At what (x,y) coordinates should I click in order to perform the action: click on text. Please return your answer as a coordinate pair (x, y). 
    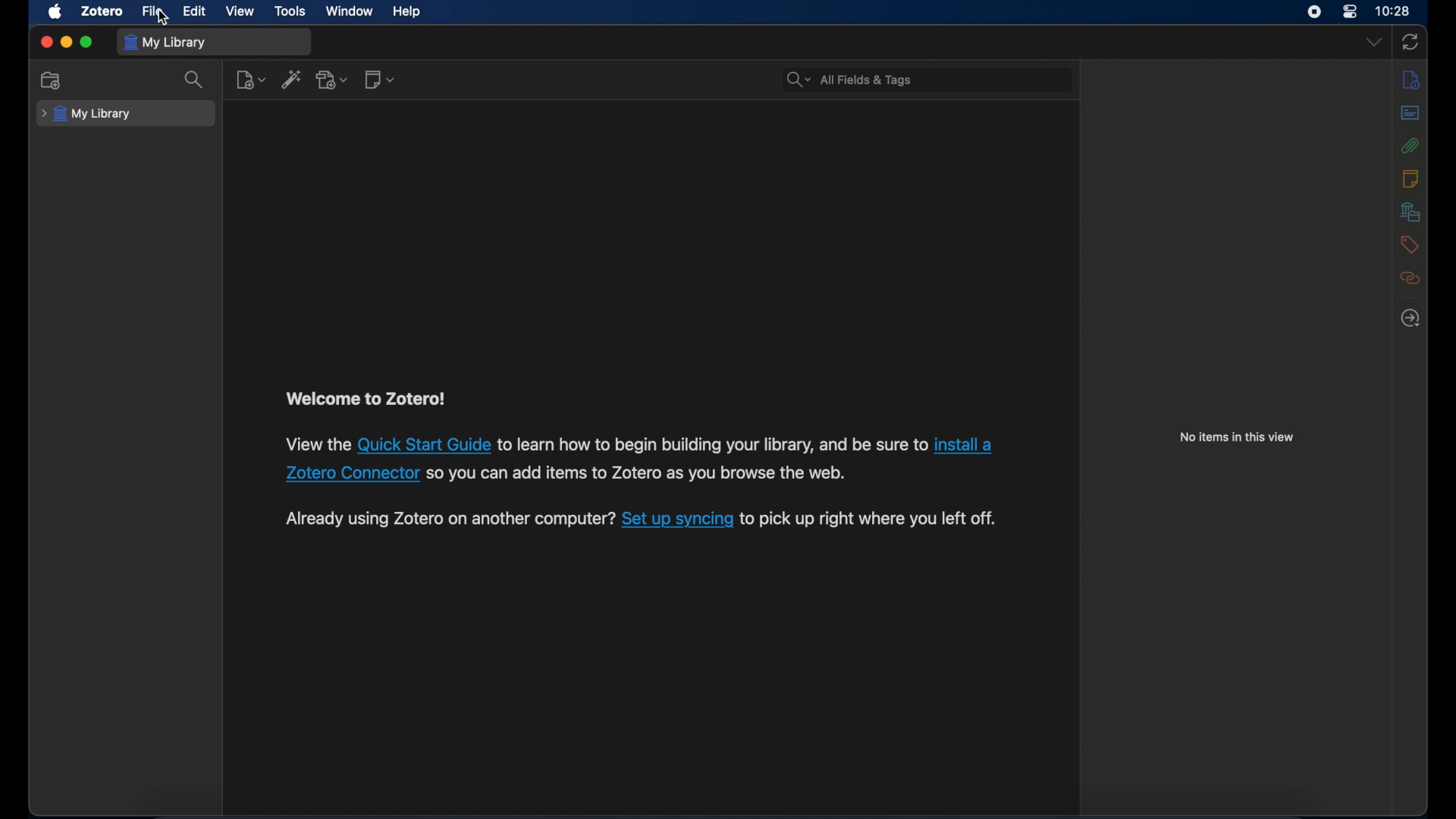
    Looking at the image, I should click on (315, 443).